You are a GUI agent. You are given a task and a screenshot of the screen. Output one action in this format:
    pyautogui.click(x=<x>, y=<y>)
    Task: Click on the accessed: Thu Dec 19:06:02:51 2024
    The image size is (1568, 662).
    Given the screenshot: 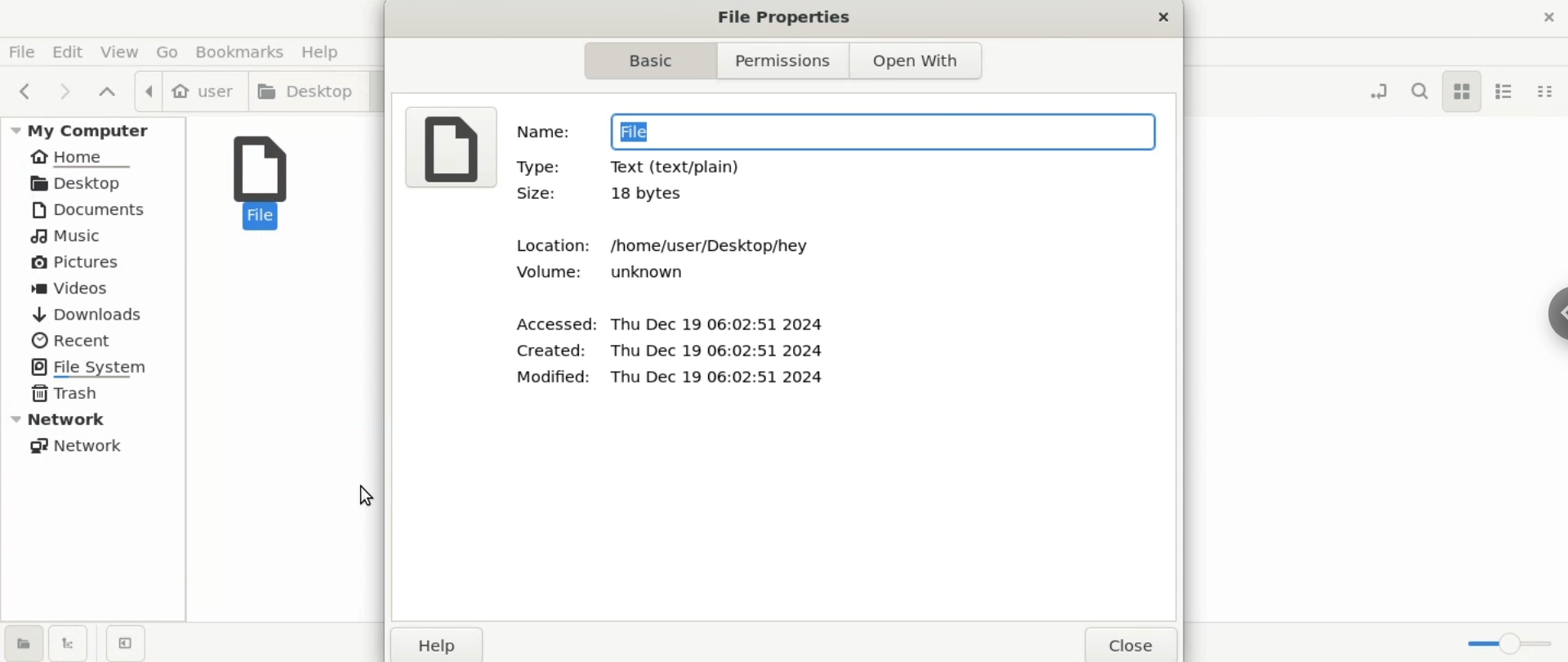 What is the action you would take?
    pyautogui.click(x=672, y=321)
    